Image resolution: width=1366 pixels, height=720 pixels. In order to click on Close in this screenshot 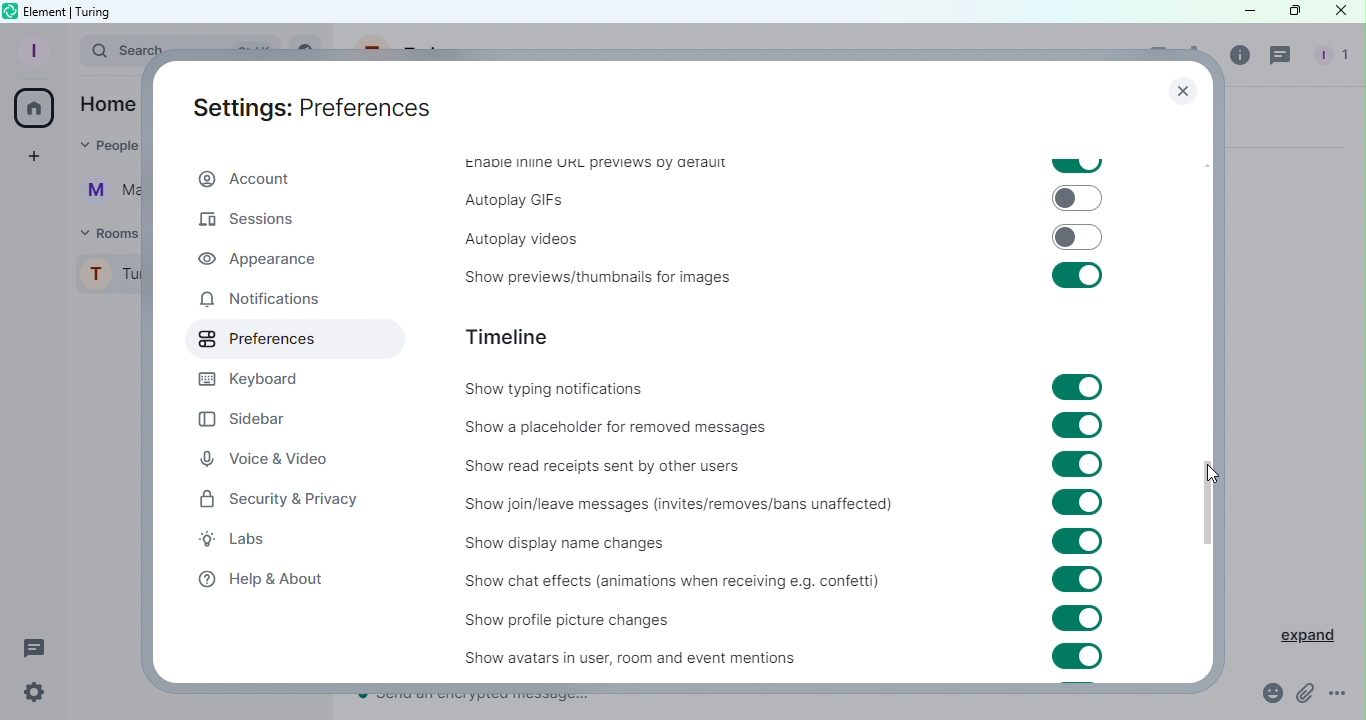, I will do `click(1343, 13)`.